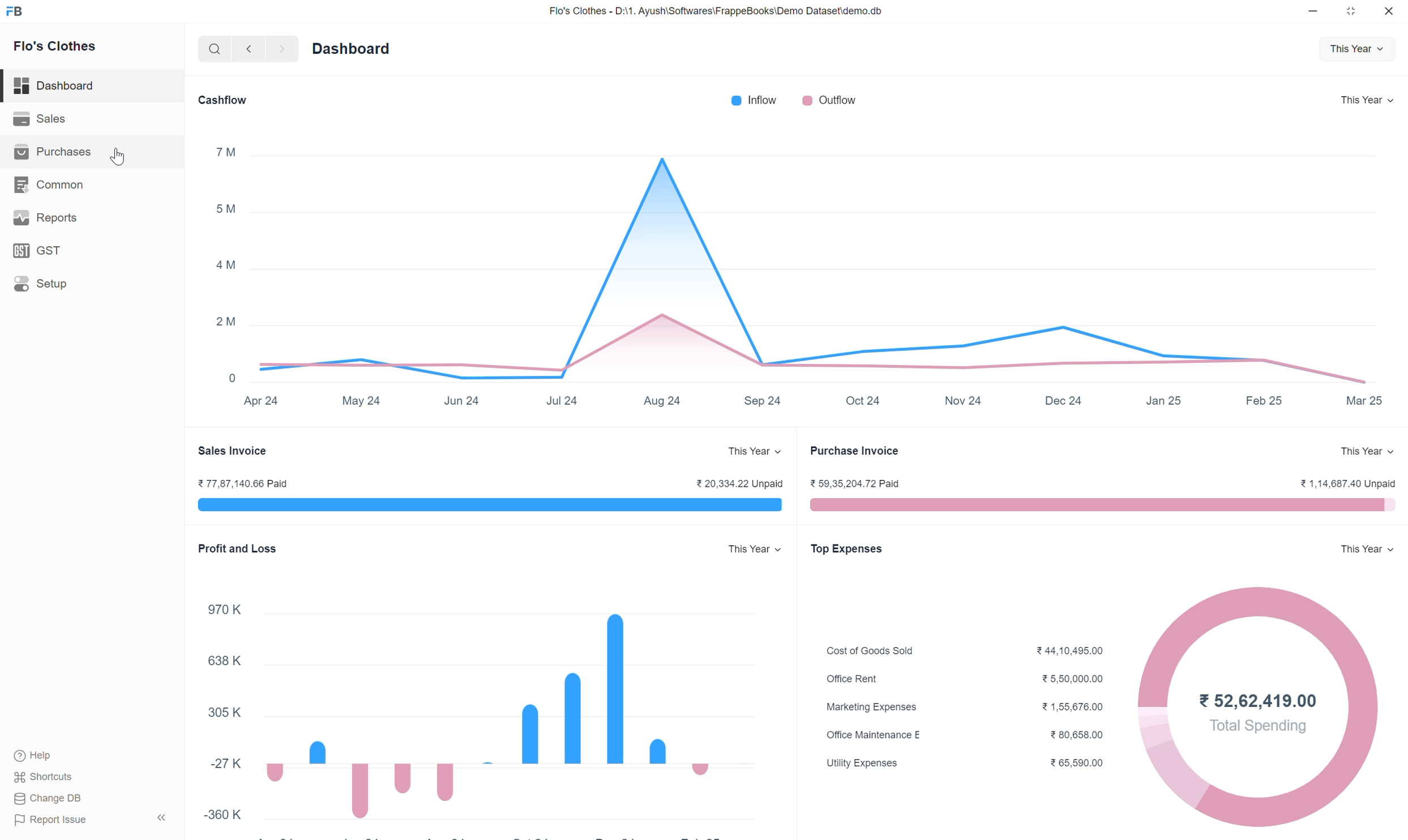 Image resolution: width=1408 pixels, height=840 pixels. What do you see at coordinates (14, 11) in the screenshot?
I see `Frappe Books logo` at bounding box center [14, 11].